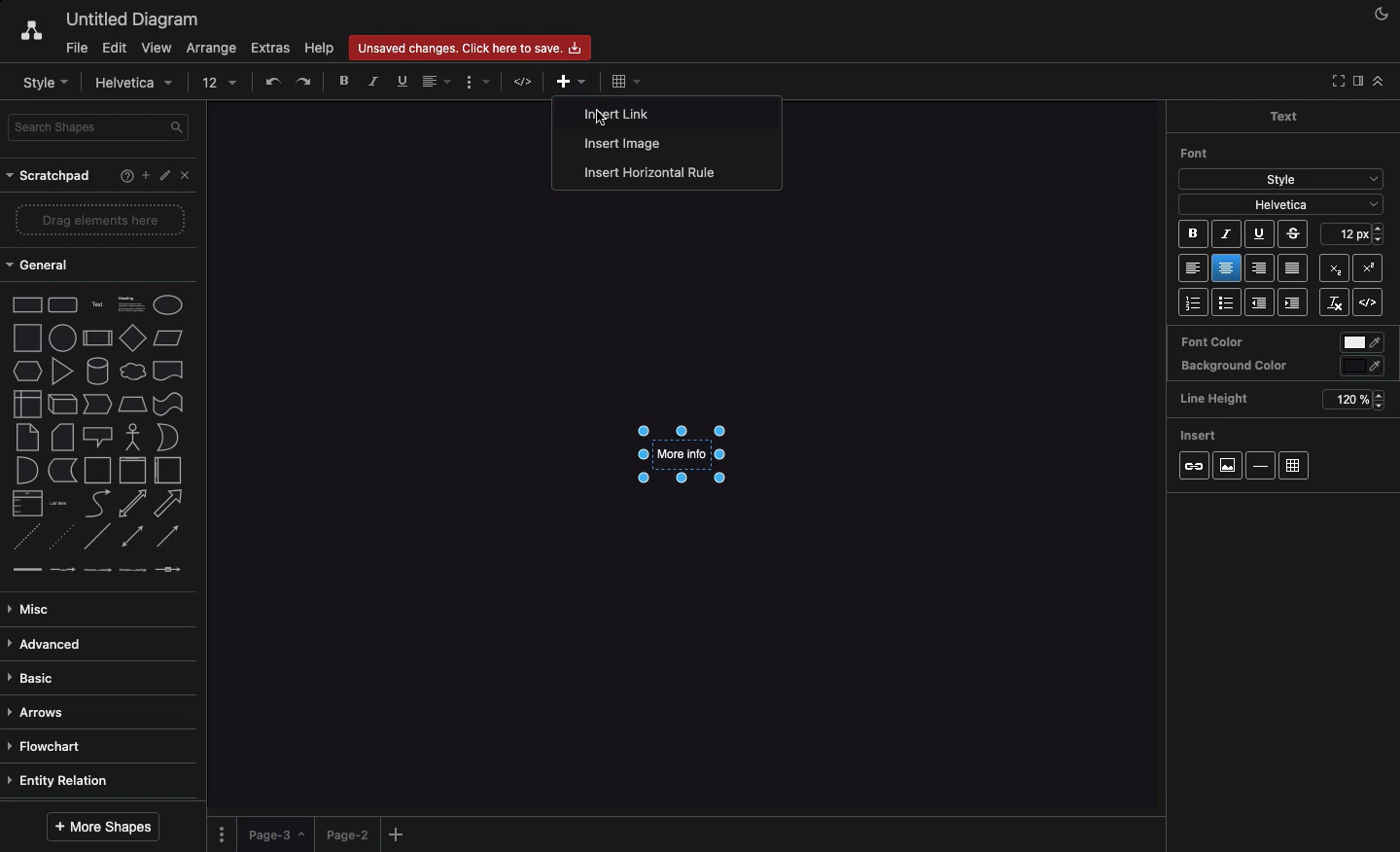 Image resolution: width=1400 pixels, height=852 pixels. Describe the element at coordinates (271, 48) in the screenshot. I see `Extras` at that location.